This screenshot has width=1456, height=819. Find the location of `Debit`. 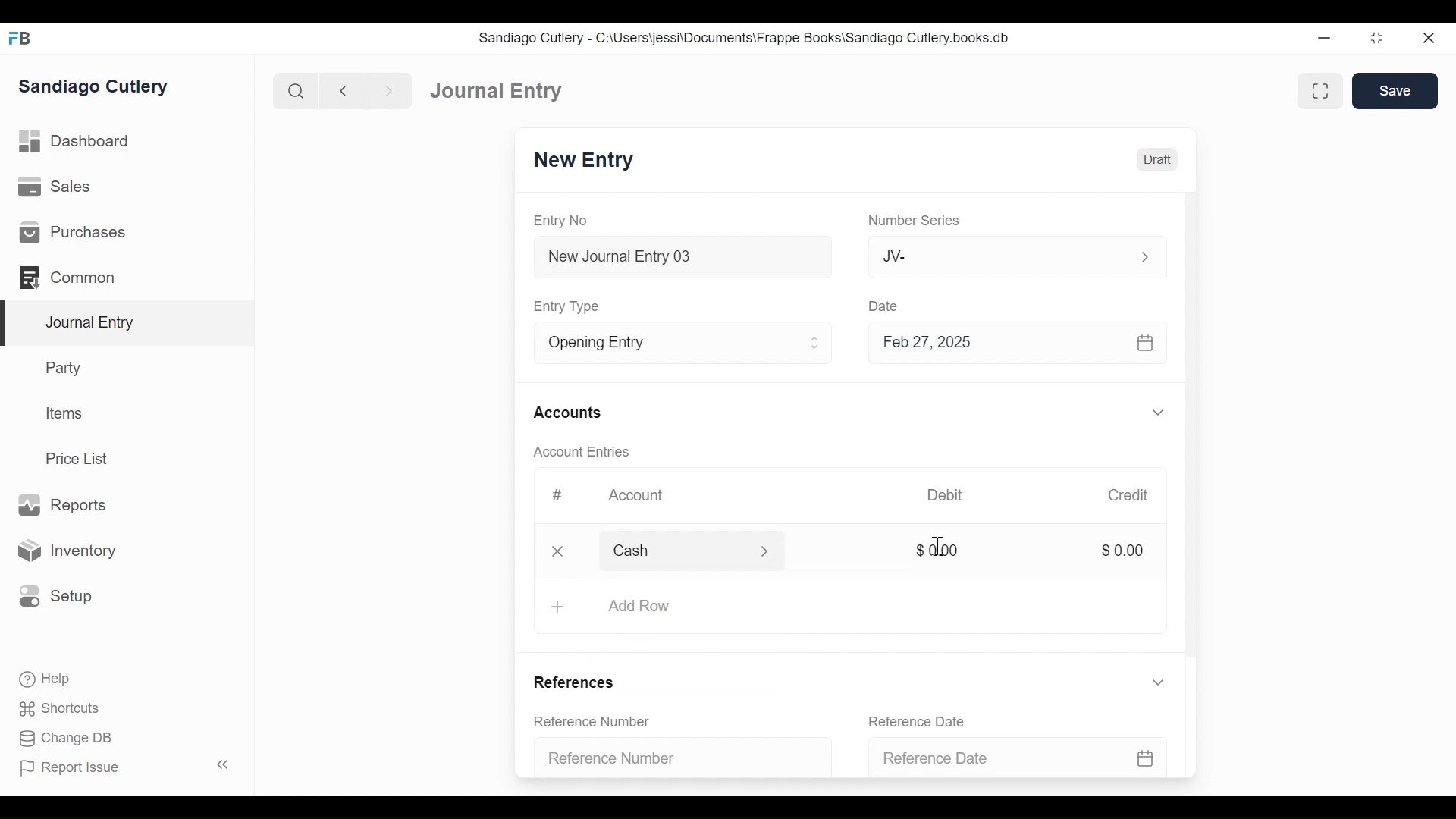

Debit is located at coordinates (946, 494).